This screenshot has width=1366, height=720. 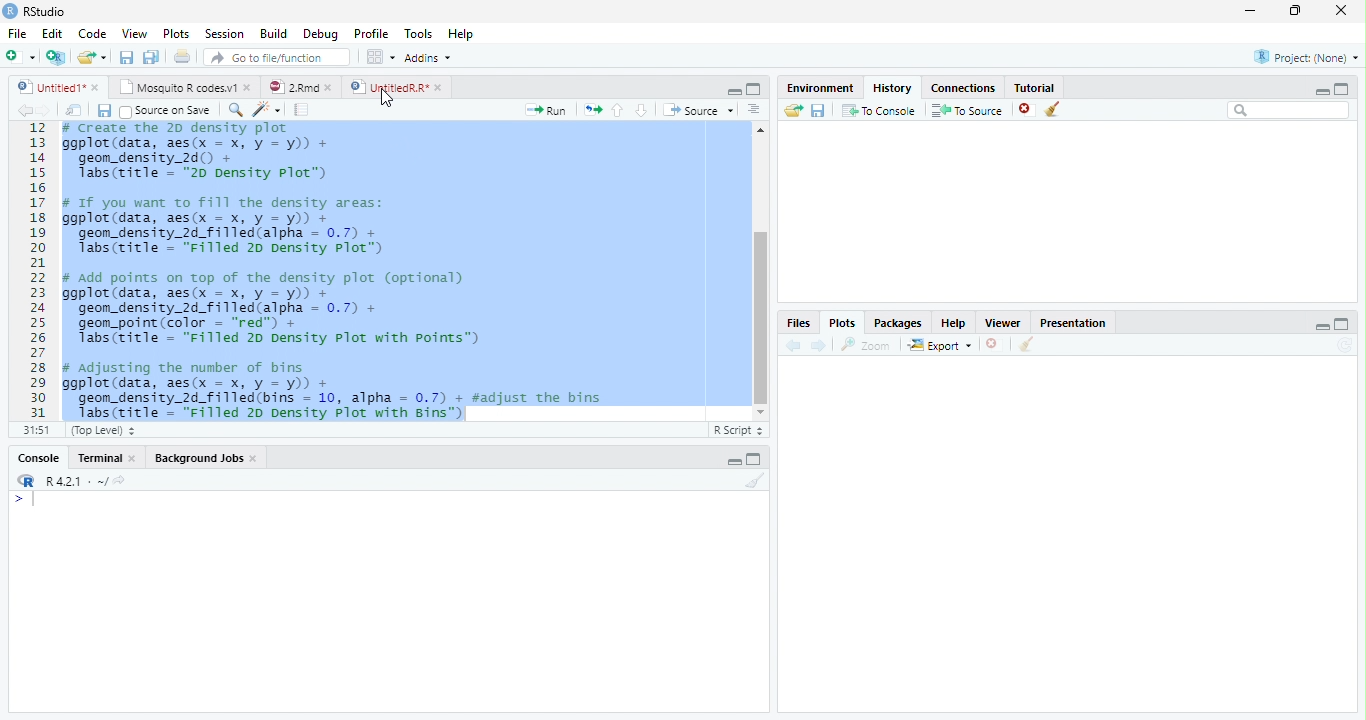 I want to click on To console, so click(x=880, y=110).